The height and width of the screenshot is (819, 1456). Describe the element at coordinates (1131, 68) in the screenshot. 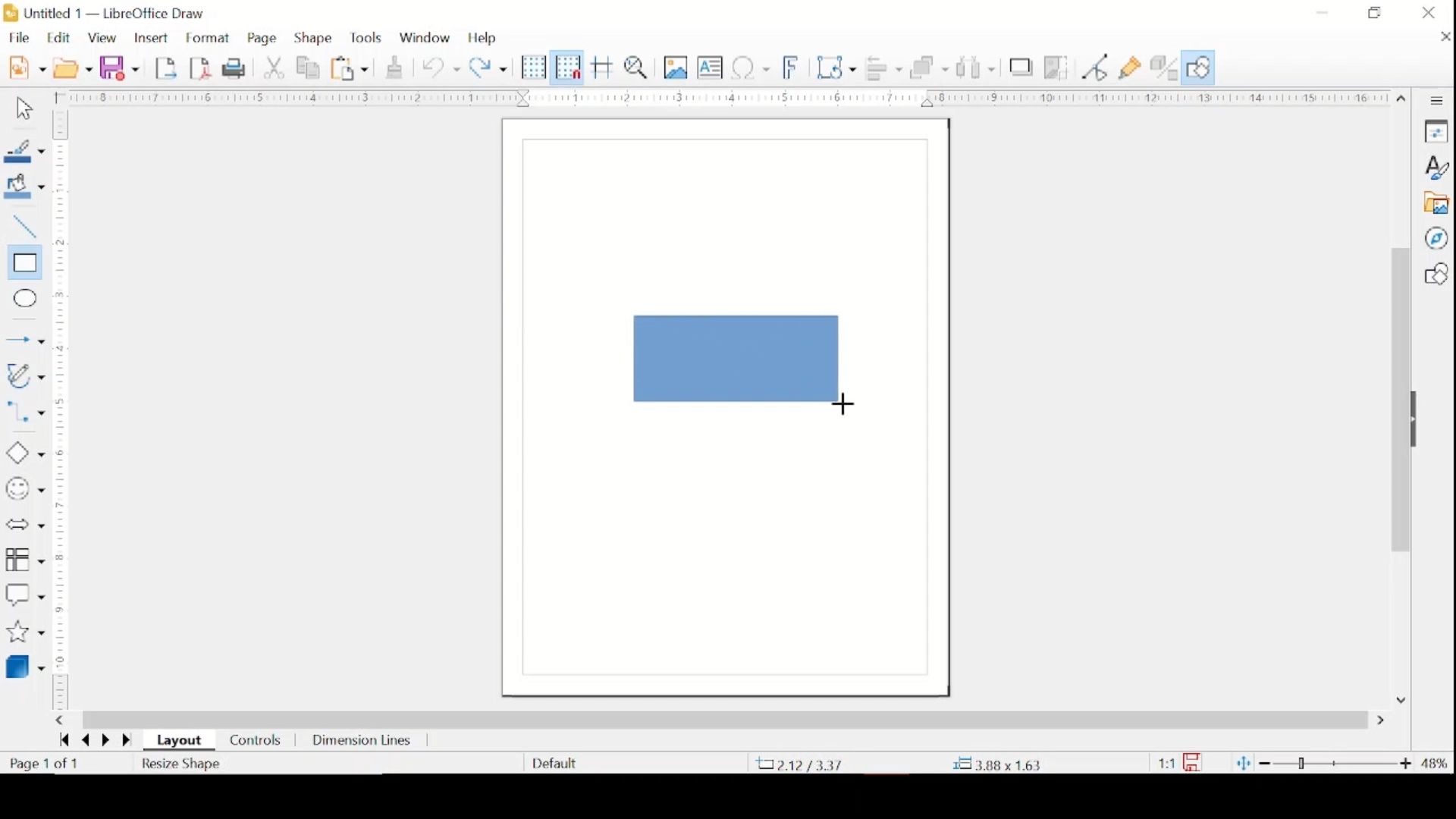

I see `show draw functions` at that location.